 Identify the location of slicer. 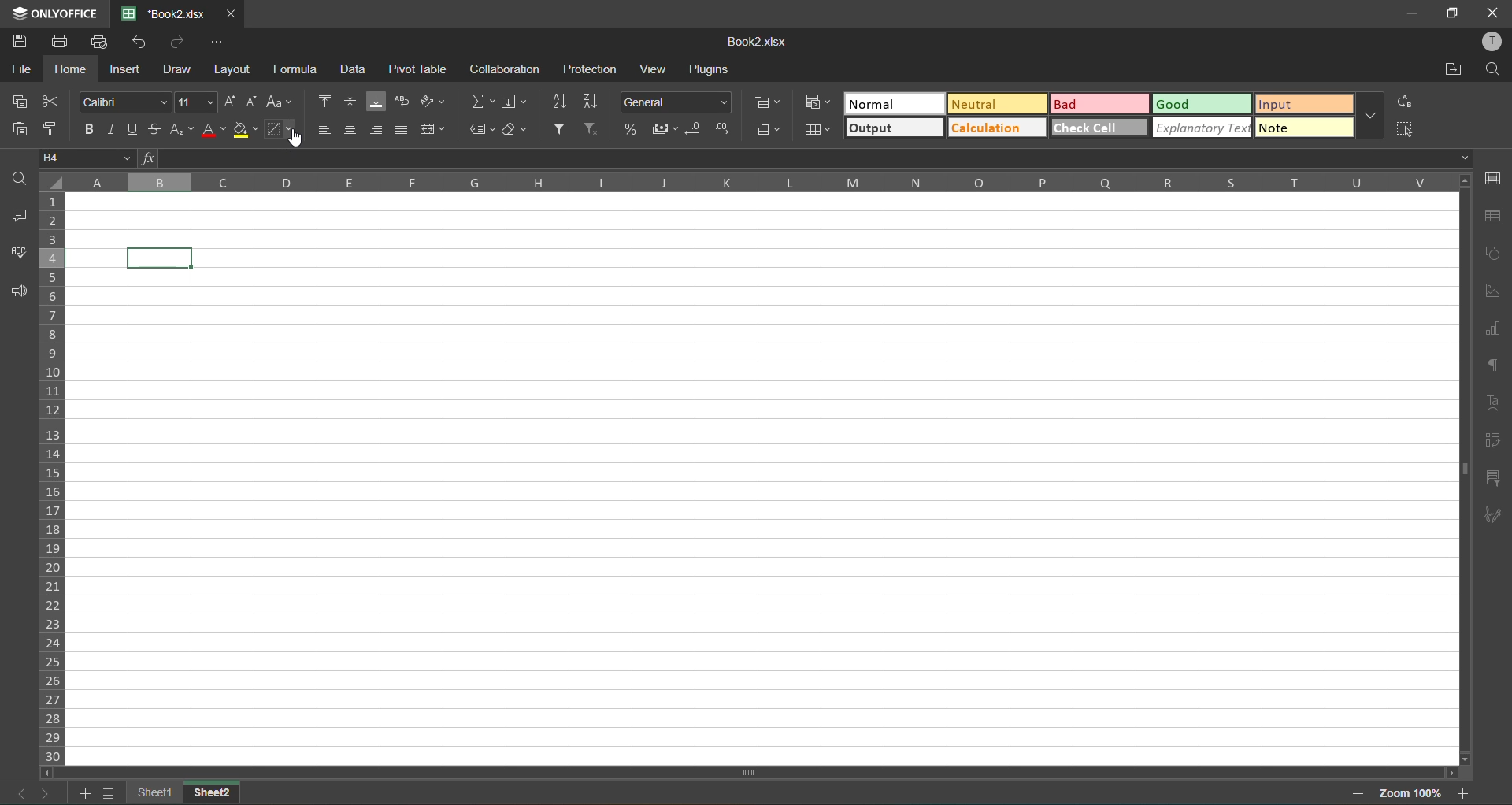
(1492, 478).